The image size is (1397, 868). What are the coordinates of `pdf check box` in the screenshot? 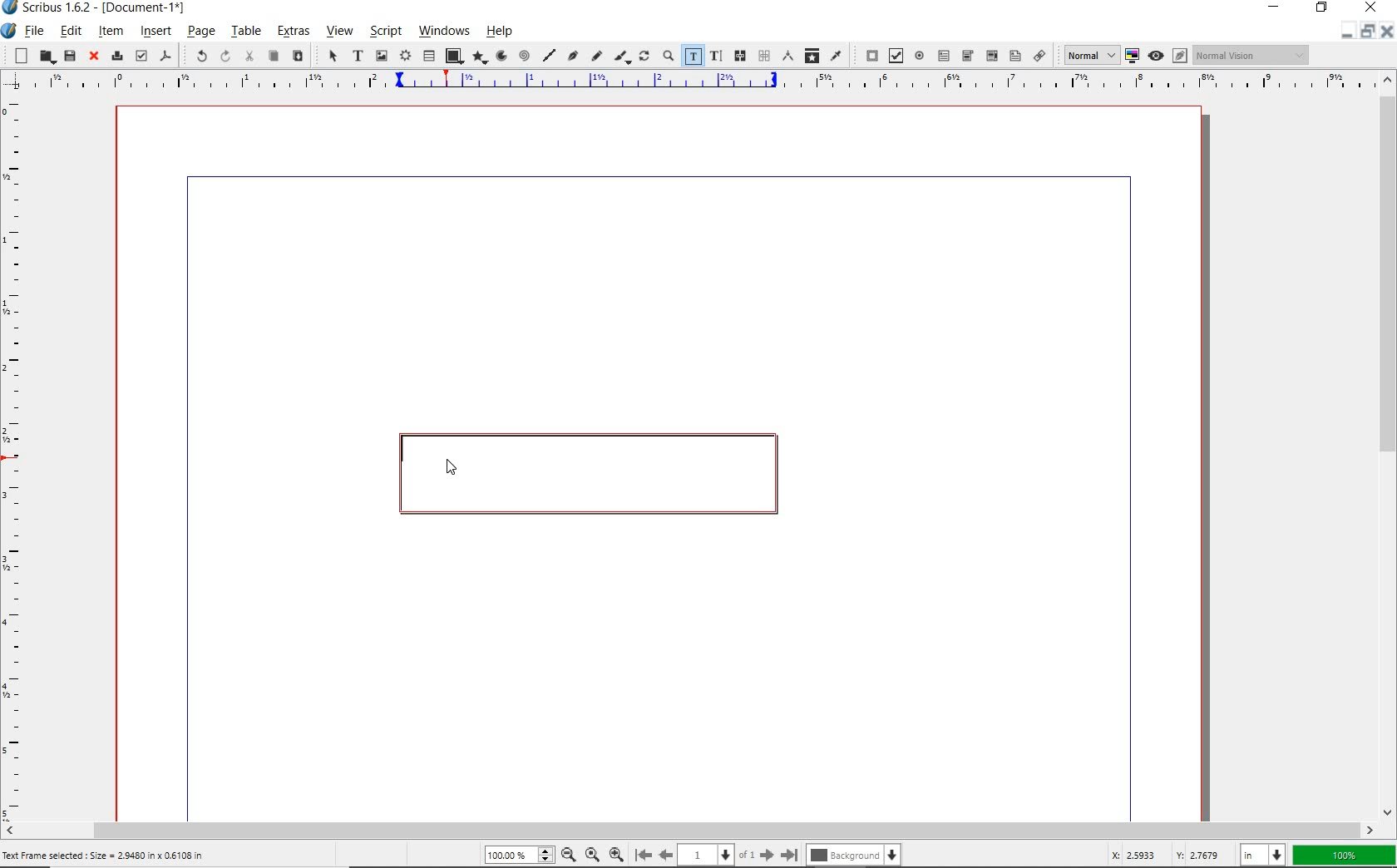 It's located at (895, 56).